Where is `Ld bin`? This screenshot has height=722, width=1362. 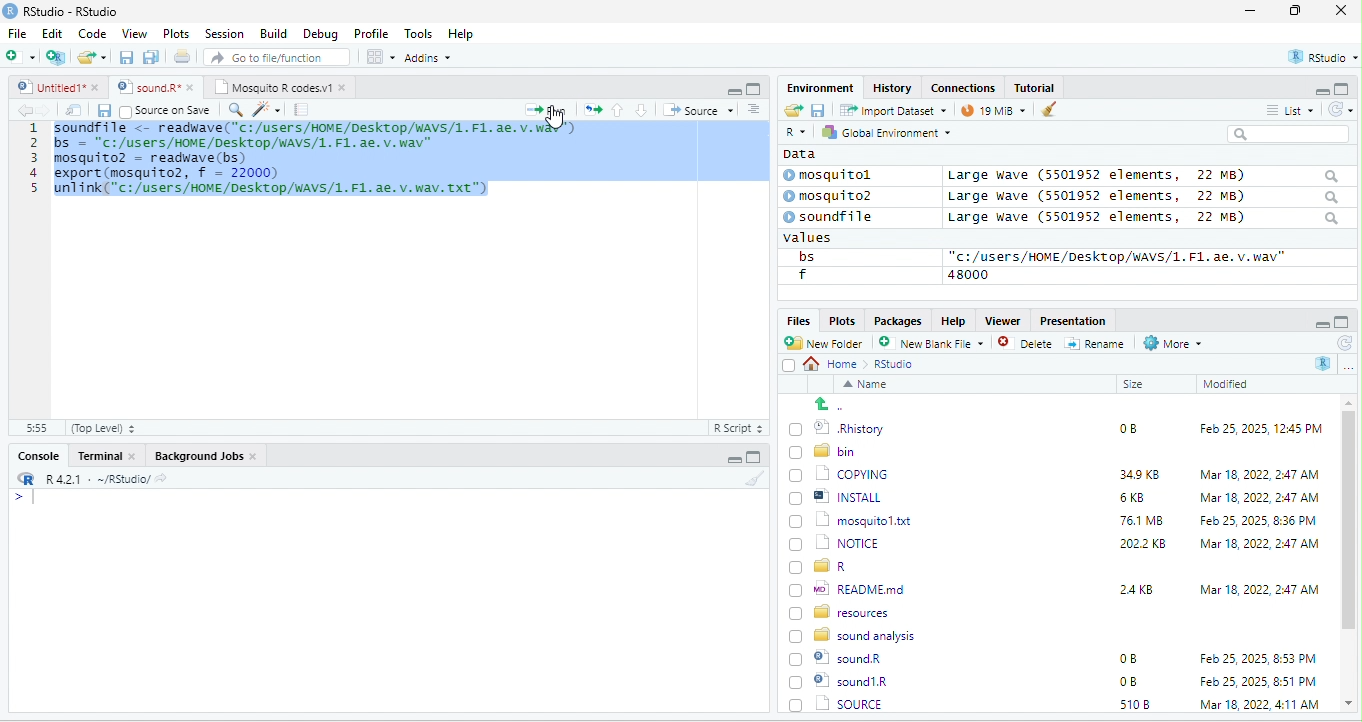 Ld bin is located at coordinates (825, 450).